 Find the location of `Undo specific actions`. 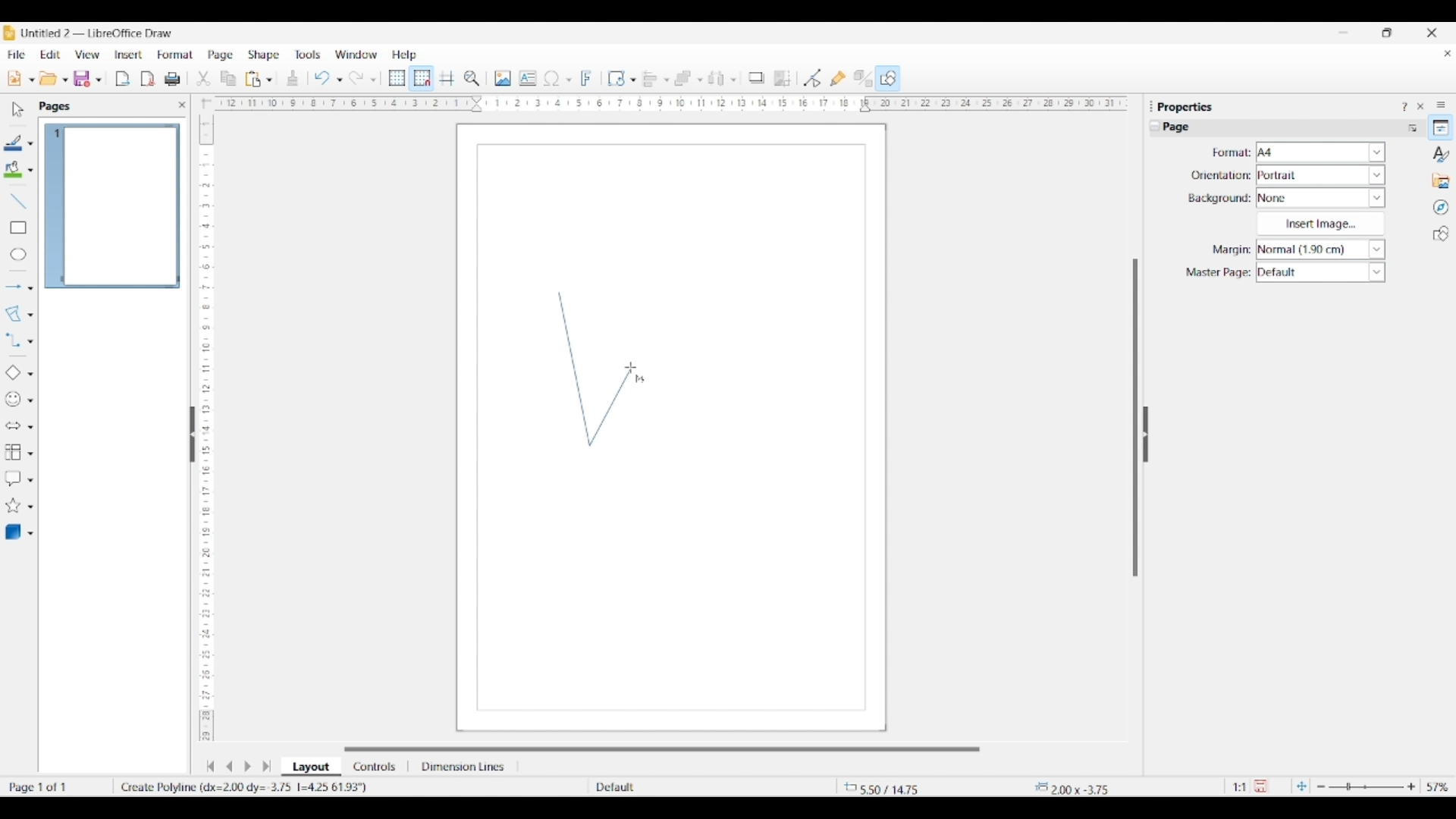

Undo specific actions is located at coordinates (339, 80).